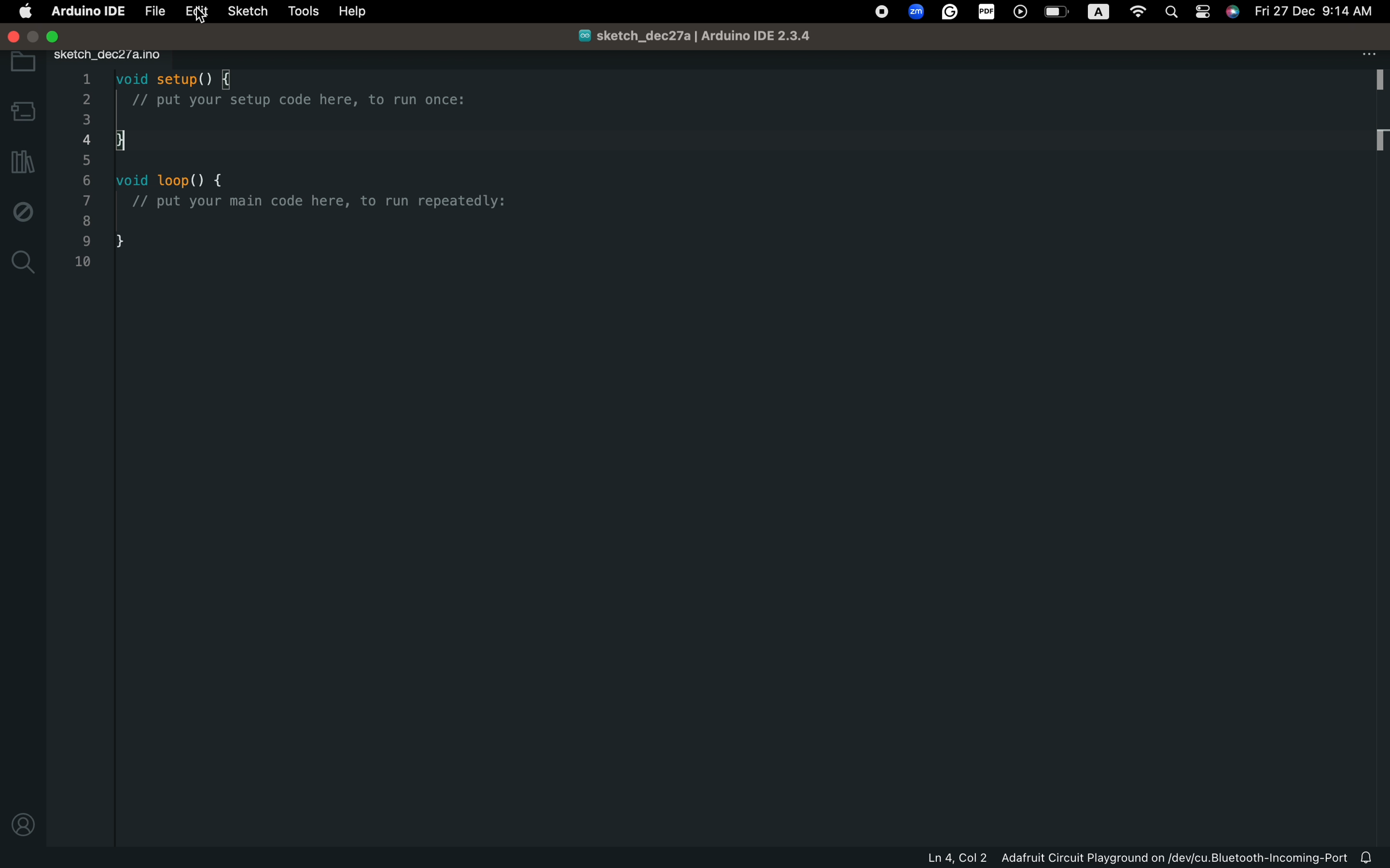 This screenshot has width=1390, height=868. What do you see at coordinates (22, 111) in the screenshot?
I see `board manager` at bounding box center [22, 111].